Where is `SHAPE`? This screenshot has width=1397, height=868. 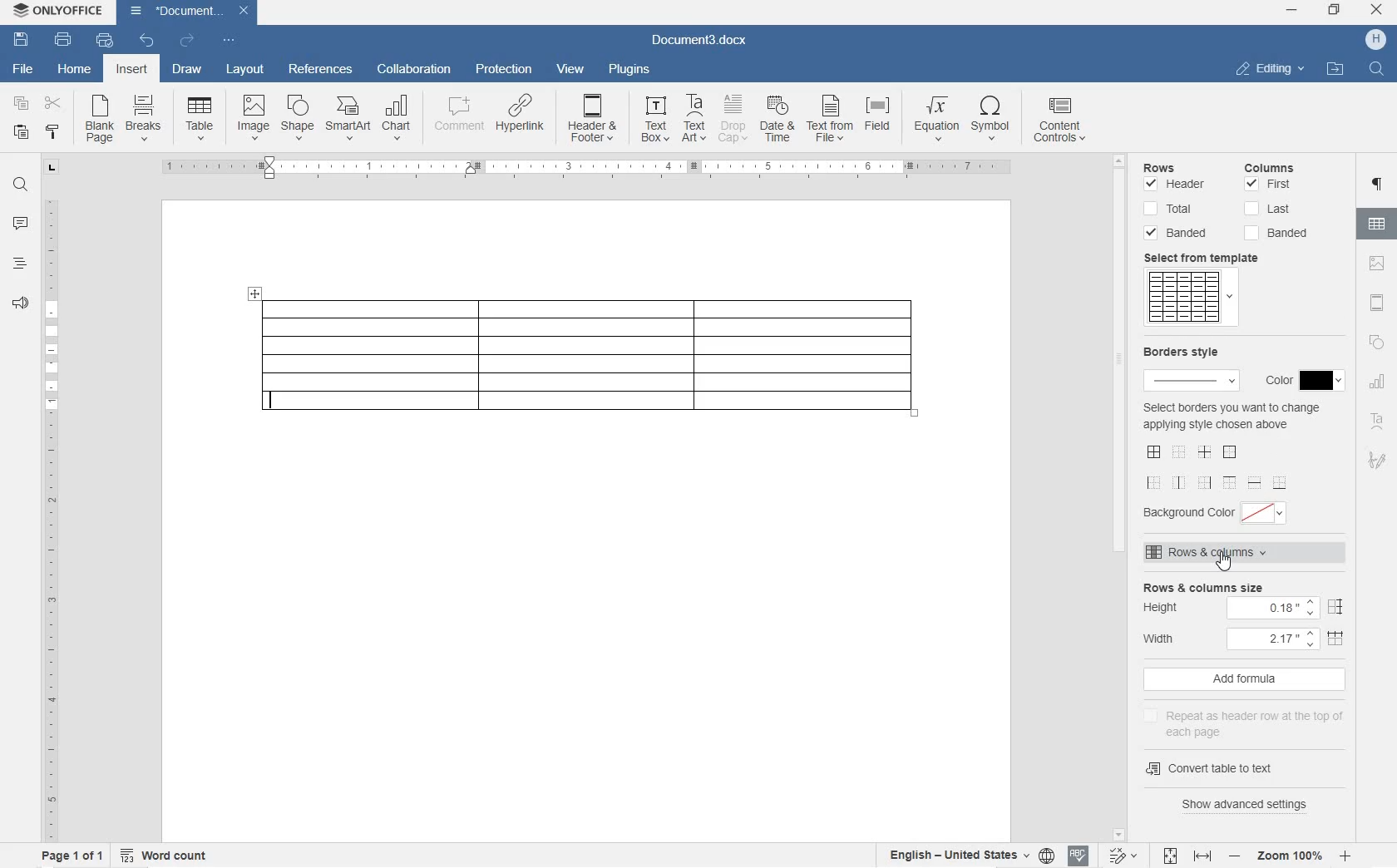
SHAPE is located at coordinates (299, 119).